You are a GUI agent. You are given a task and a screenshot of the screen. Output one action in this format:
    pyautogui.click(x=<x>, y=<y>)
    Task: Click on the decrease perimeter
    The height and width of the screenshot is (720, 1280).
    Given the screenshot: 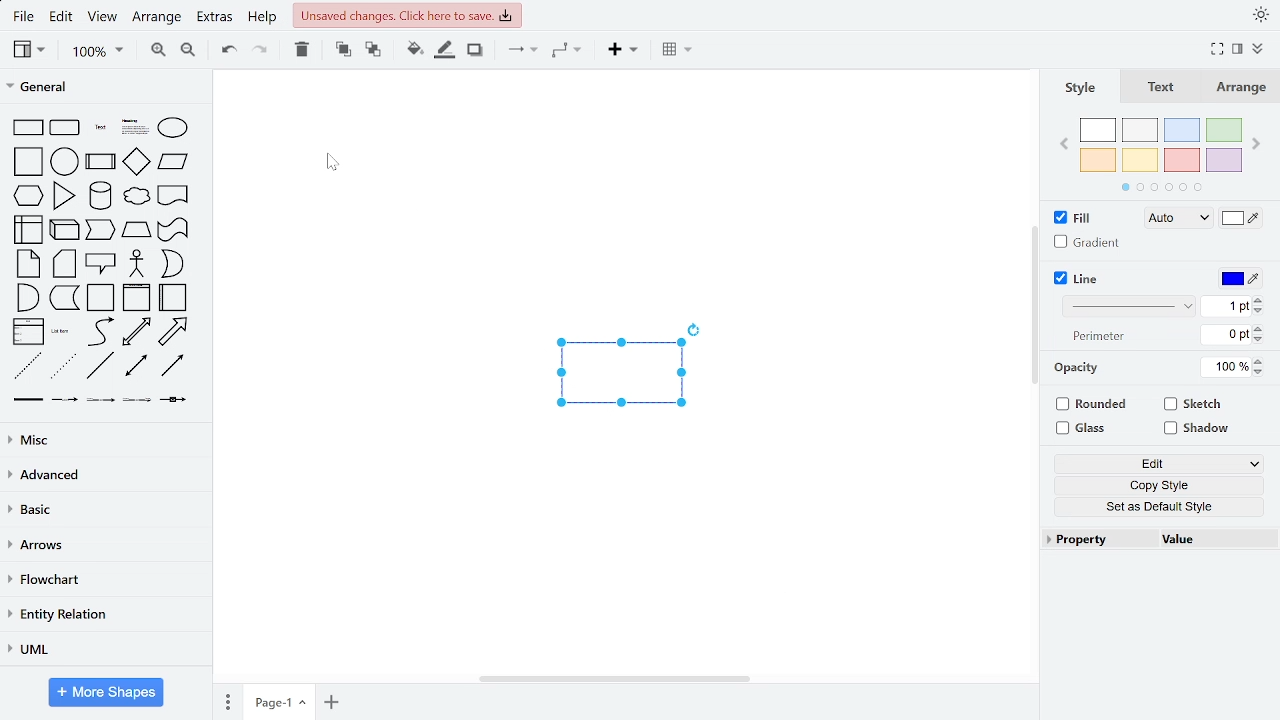 What is the action you would take?
    pyautogui.click(x=1259, y=340)
    